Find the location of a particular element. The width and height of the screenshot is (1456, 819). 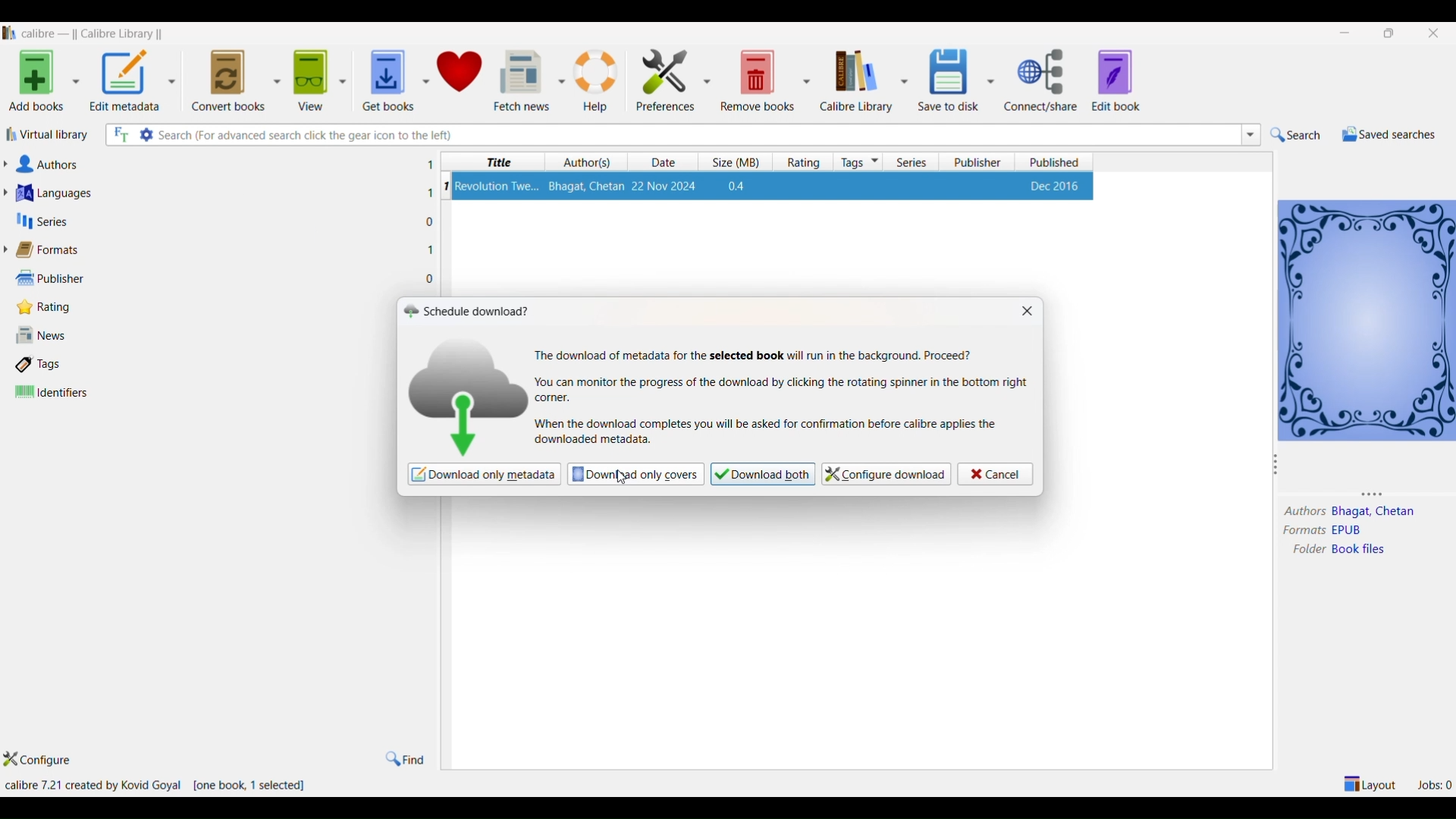

publisher is located at coordinates (979, 162).